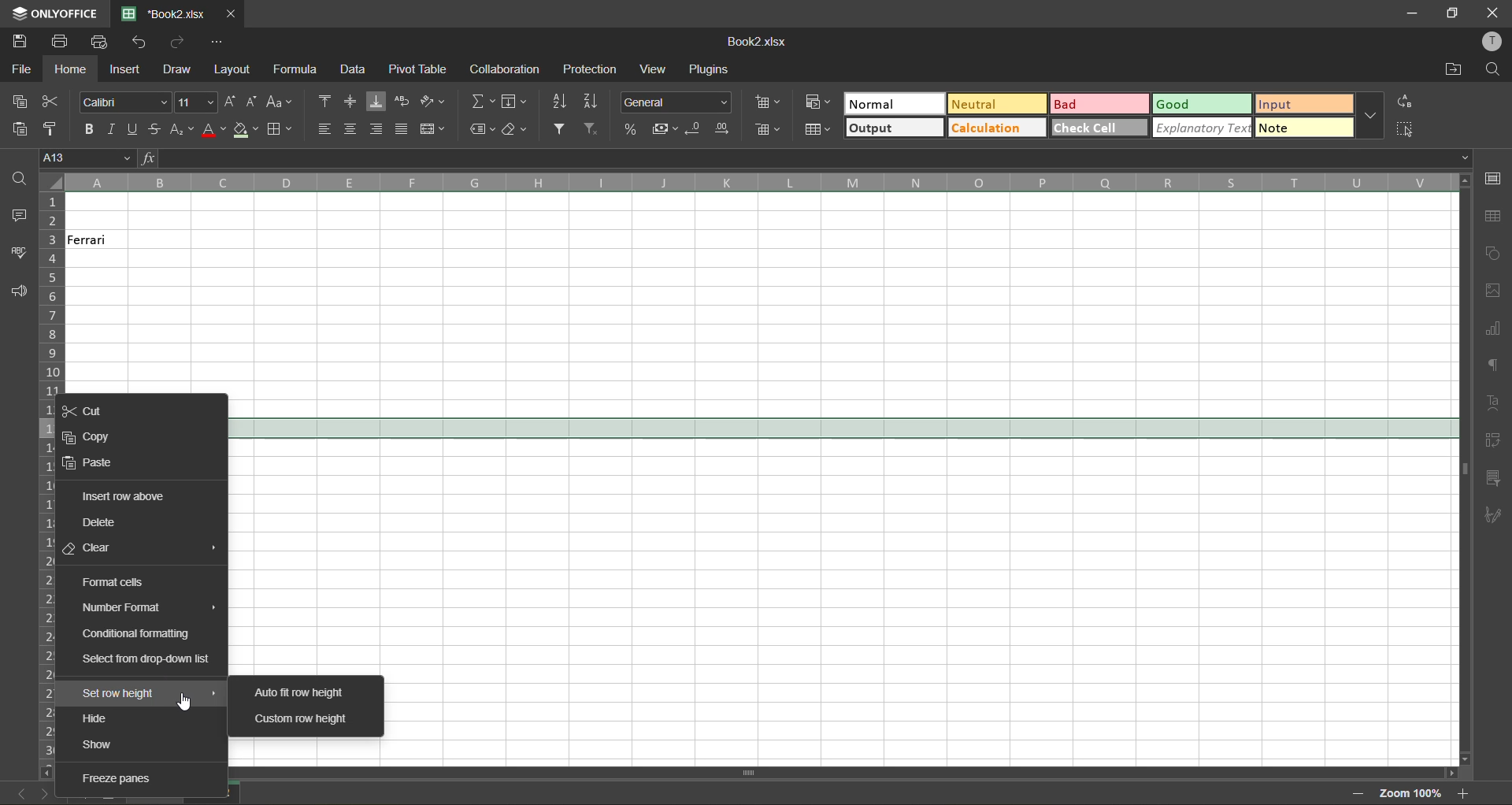 The height and width of the screenshot is (805, 1512). What do you see at coordinates (1001, 105) in the screenshot?
I see `neutral` at bounding box center [1001, 105].